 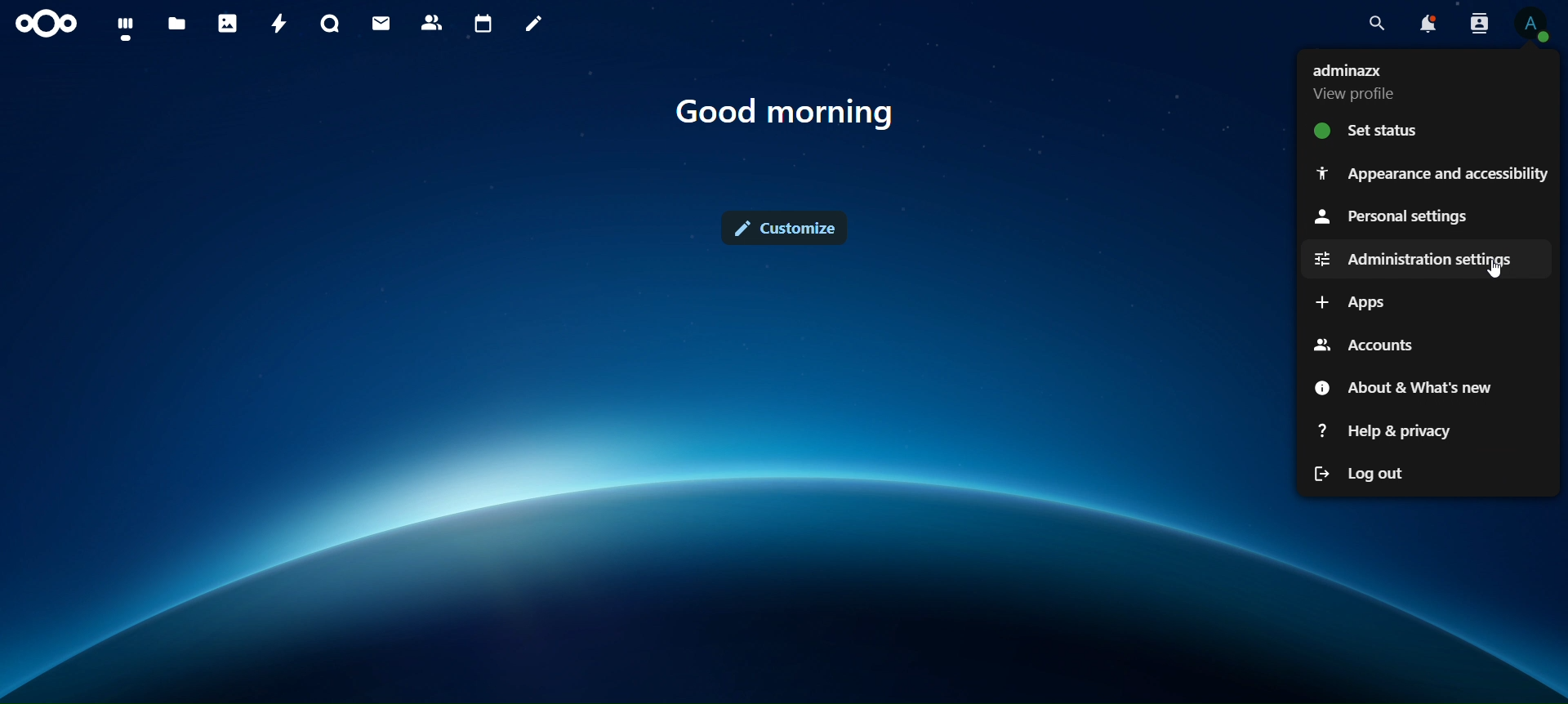 I want to click on dashboard, so click(x=128, y=28).